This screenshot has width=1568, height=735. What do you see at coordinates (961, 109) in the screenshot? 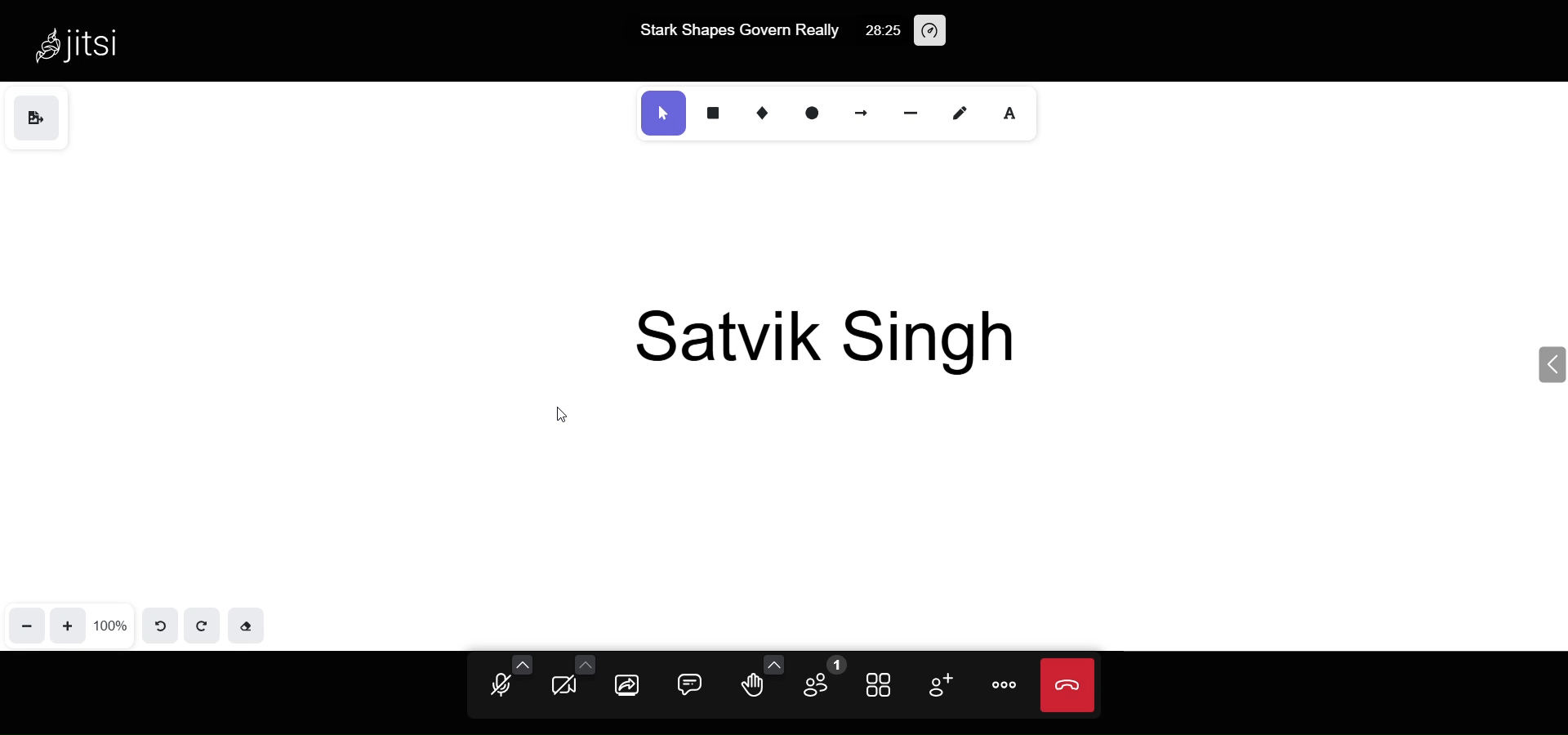
I see `draw` at bounding box center [961, 109].